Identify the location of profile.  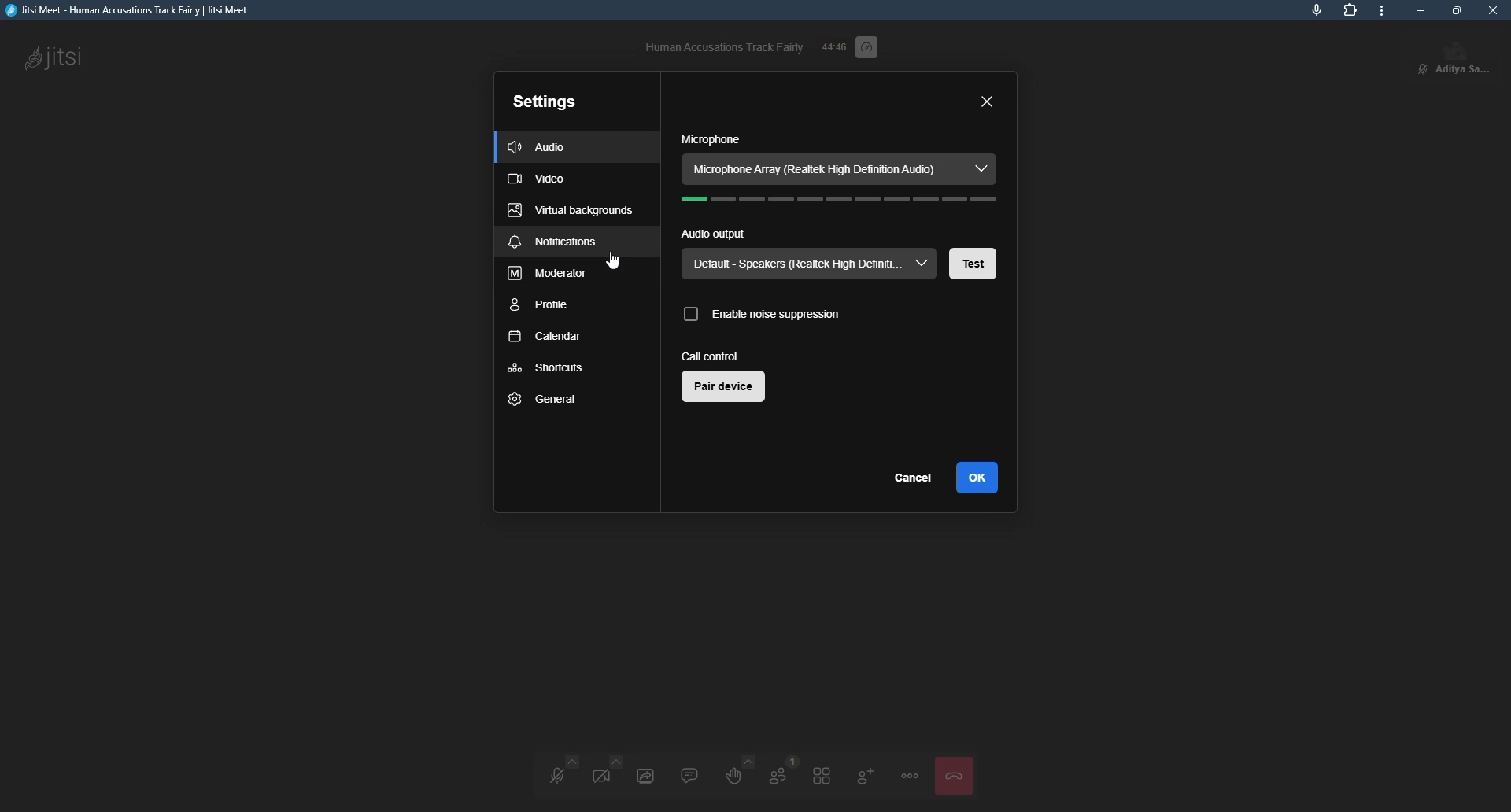
(541, 307).